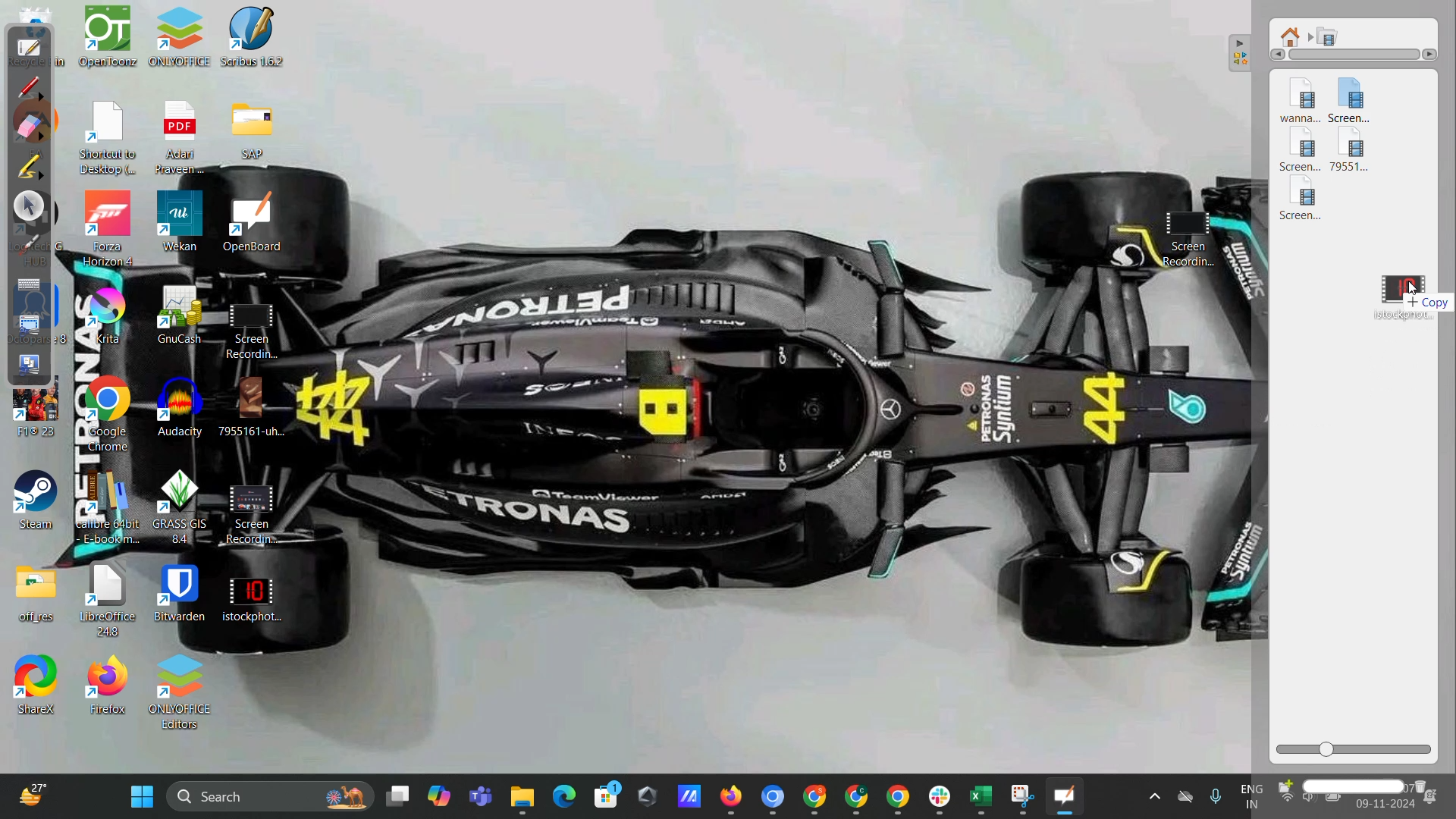  Describe the element at coordinates (689, 798) in the screenshot. I see `shortcut on desktop taskbar` at that location.